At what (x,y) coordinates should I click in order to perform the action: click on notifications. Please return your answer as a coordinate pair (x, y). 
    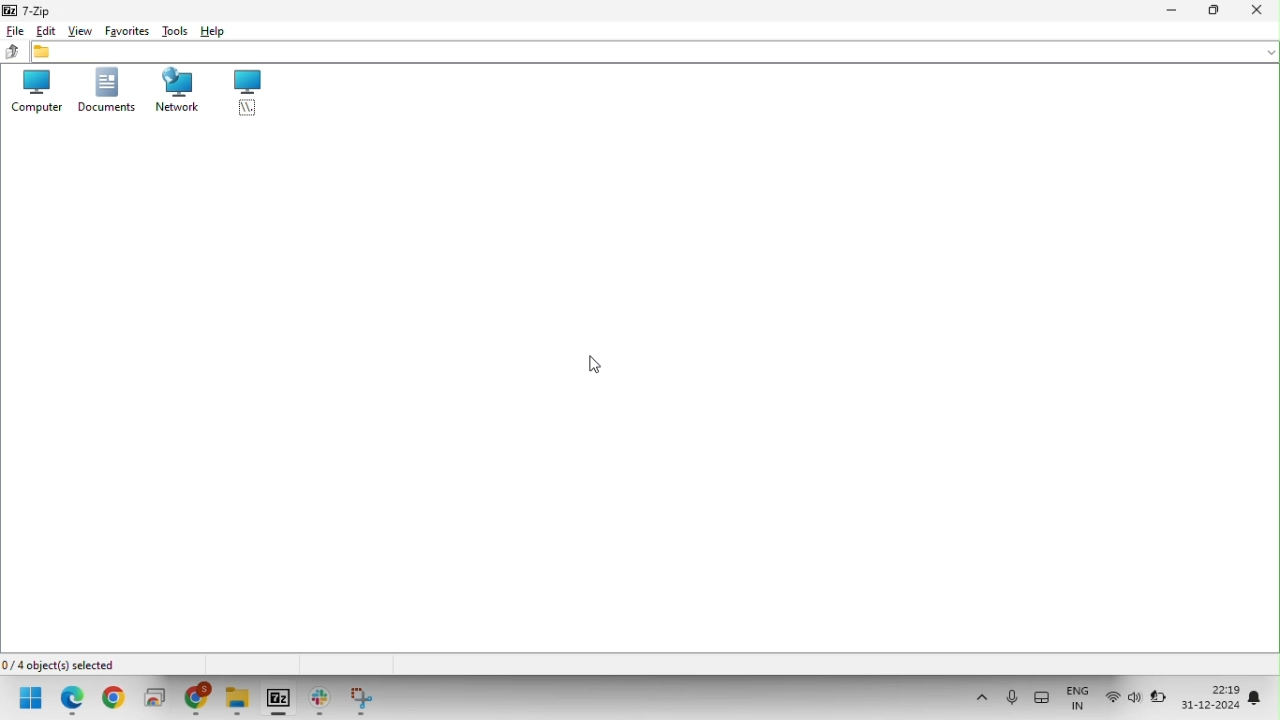
    Looking at the image, I should click on (1259, 692).